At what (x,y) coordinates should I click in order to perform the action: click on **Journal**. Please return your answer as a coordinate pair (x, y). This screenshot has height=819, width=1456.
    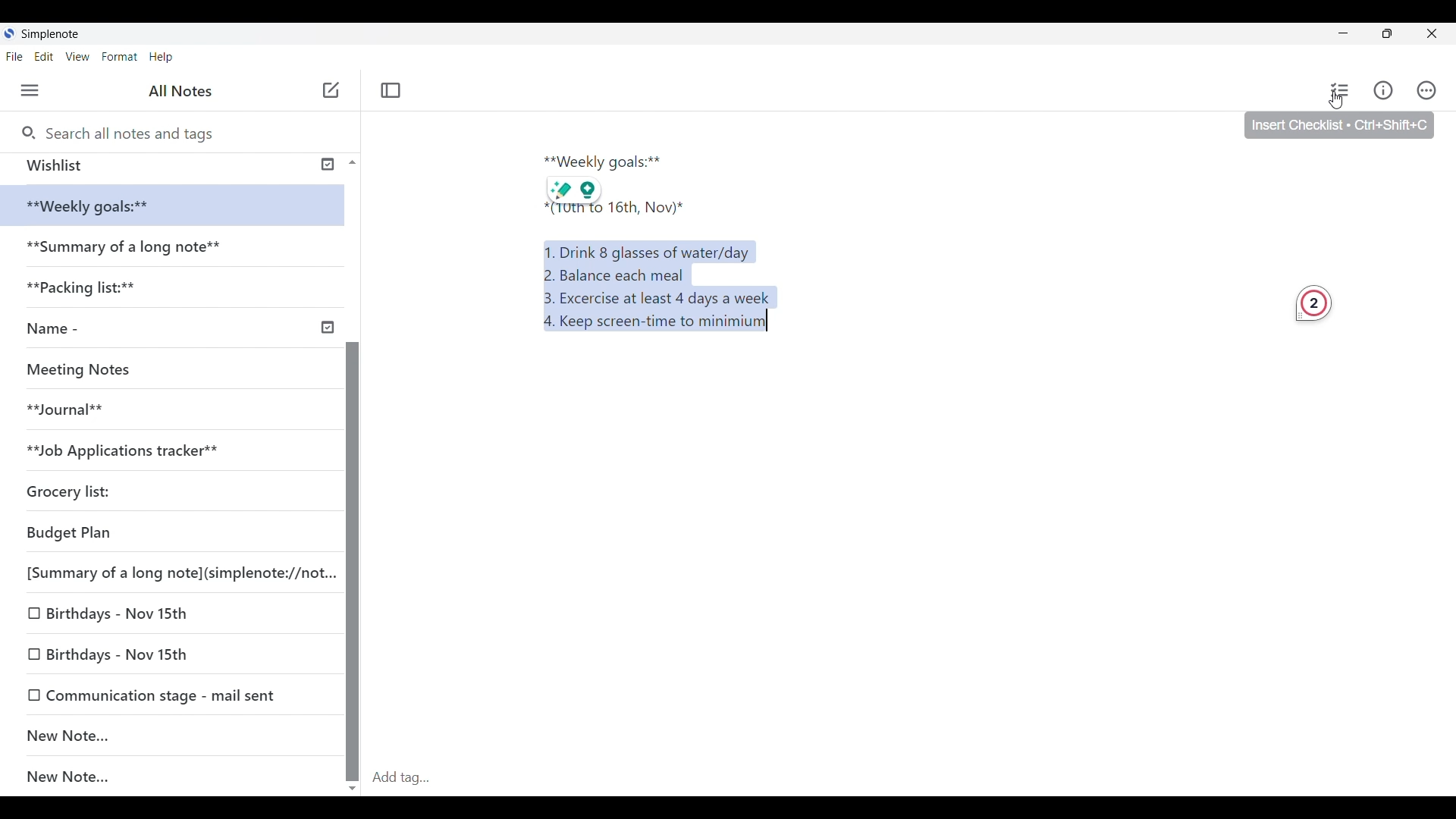
    Looking at the image, I should click on (73, 407).